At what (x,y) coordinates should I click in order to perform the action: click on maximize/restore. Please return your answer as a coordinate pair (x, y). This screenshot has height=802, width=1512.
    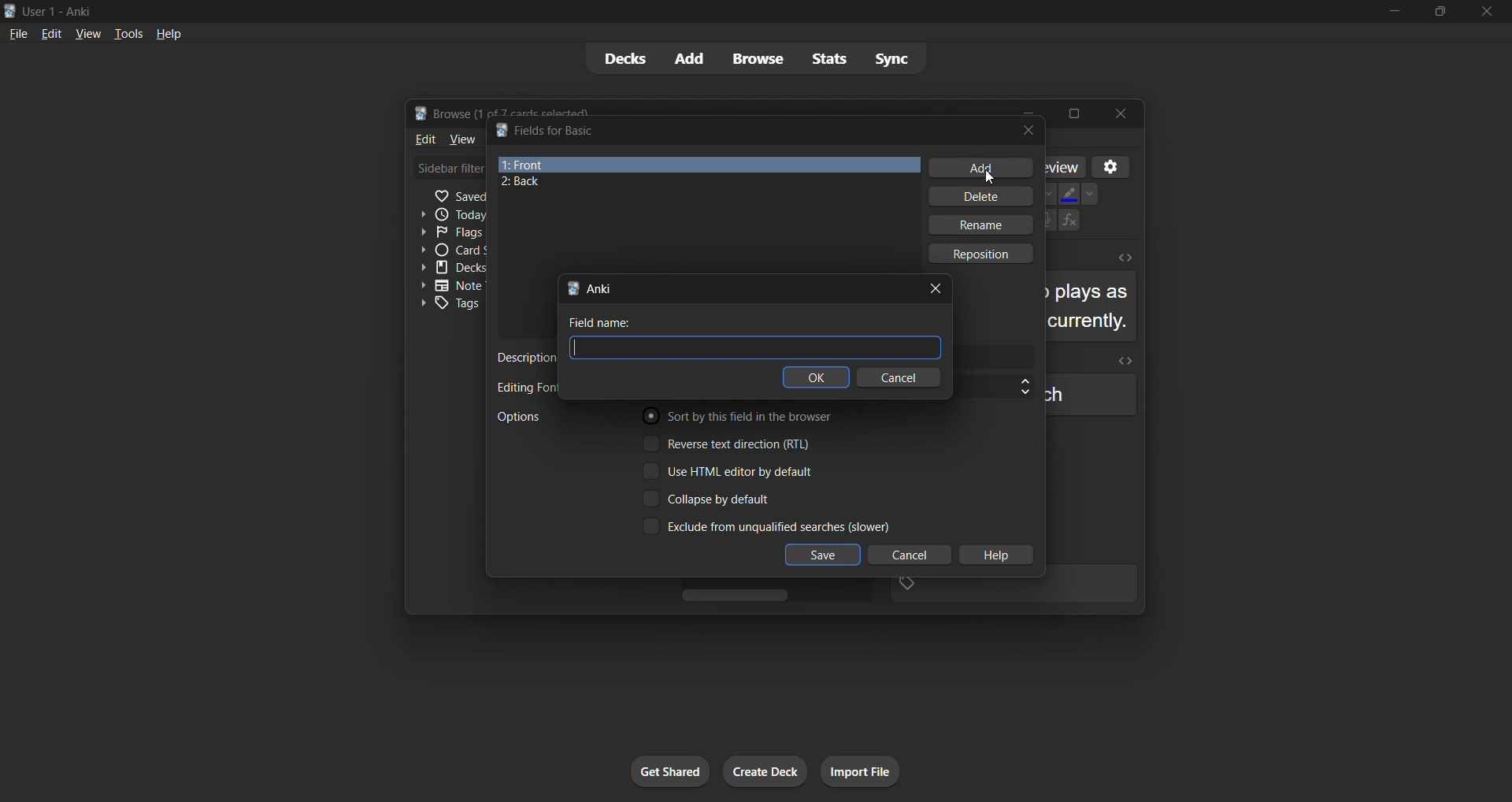
    Looking at the image, I should click on (1438, 13).